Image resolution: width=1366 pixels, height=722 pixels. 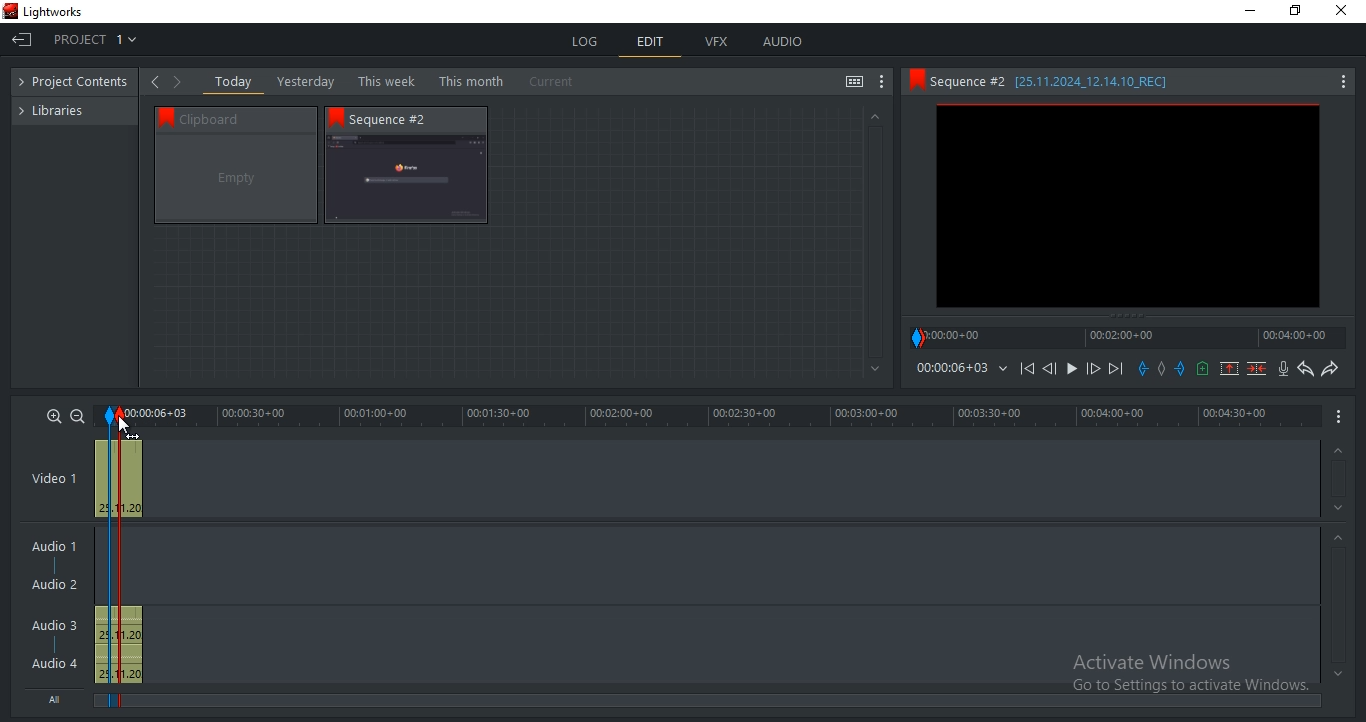 What do you see at coordinates (1258, 368) in the screenshot?
I see `delete marked section` at bounding box center [1258, 368].